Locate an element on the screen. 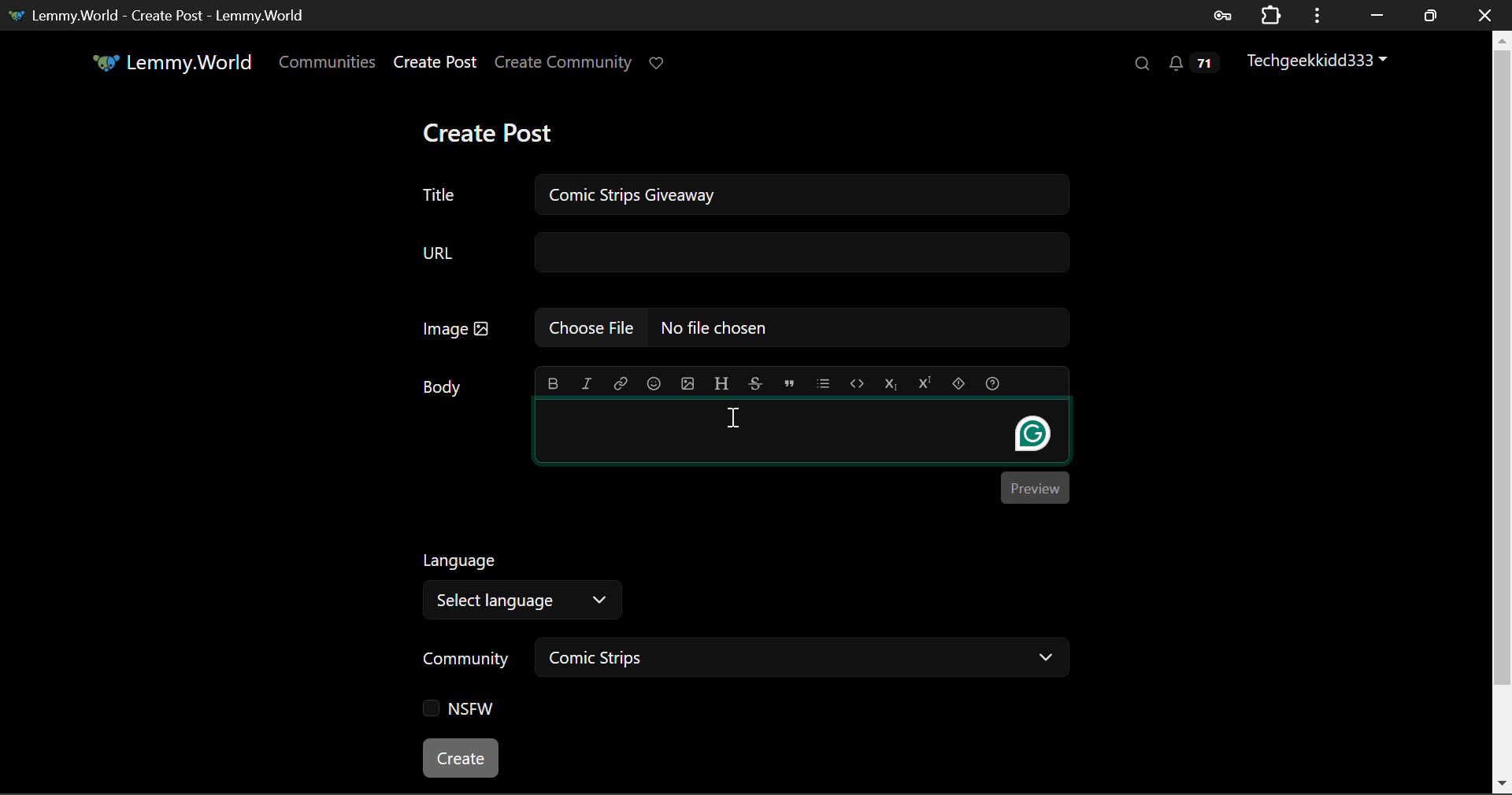 Image resolution: width=1512 pixels, height=795 pixels. spoiler is located at coordinates (958, 383).